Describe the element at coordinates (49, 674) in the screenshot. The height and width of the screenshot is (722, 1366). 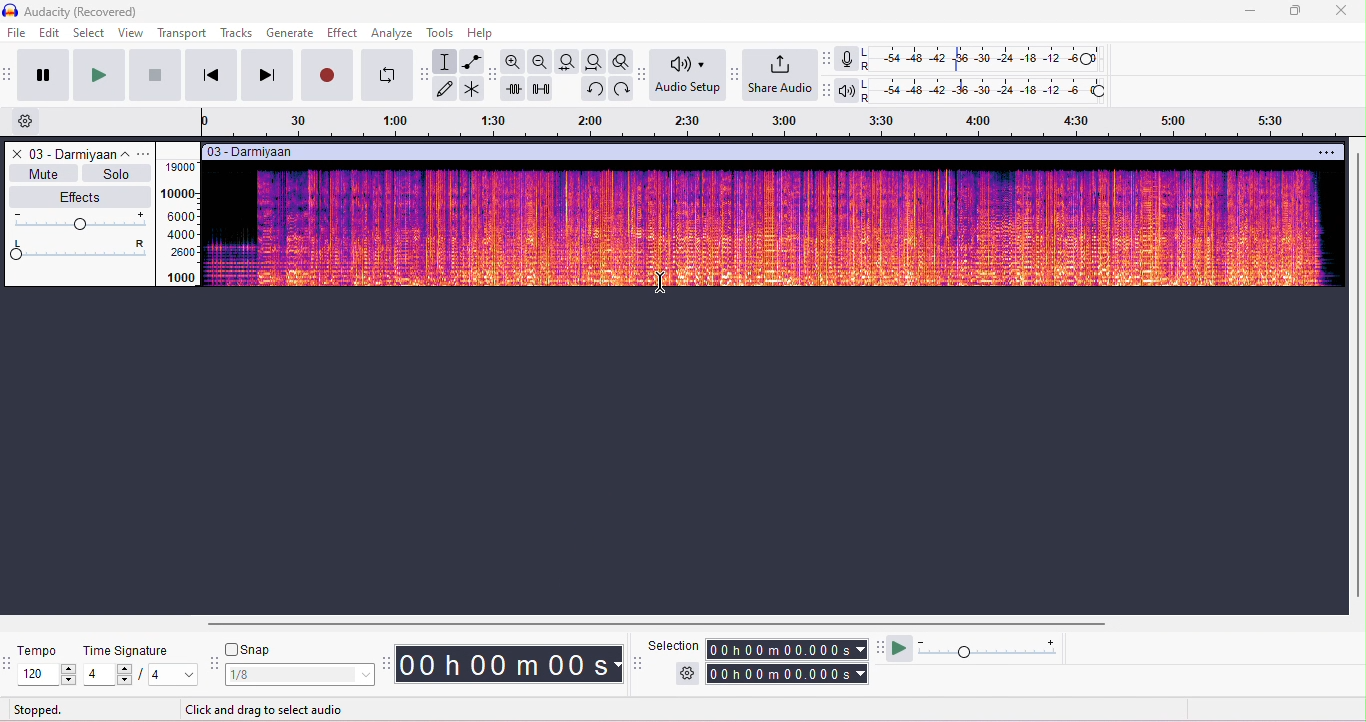
I see `tempo selection` at that location.